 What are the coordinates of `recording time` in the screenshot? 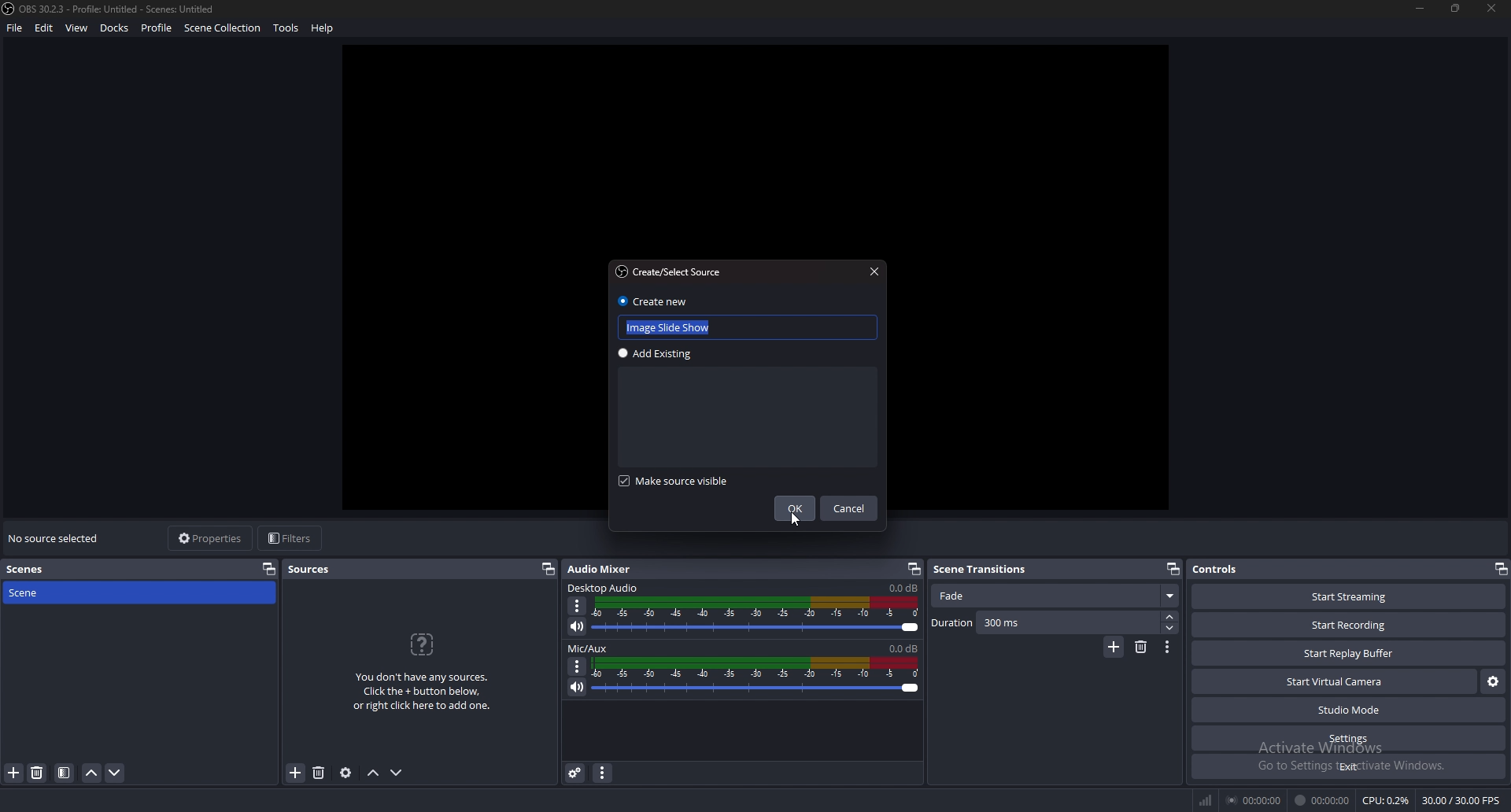 It's located at (1321, 799).